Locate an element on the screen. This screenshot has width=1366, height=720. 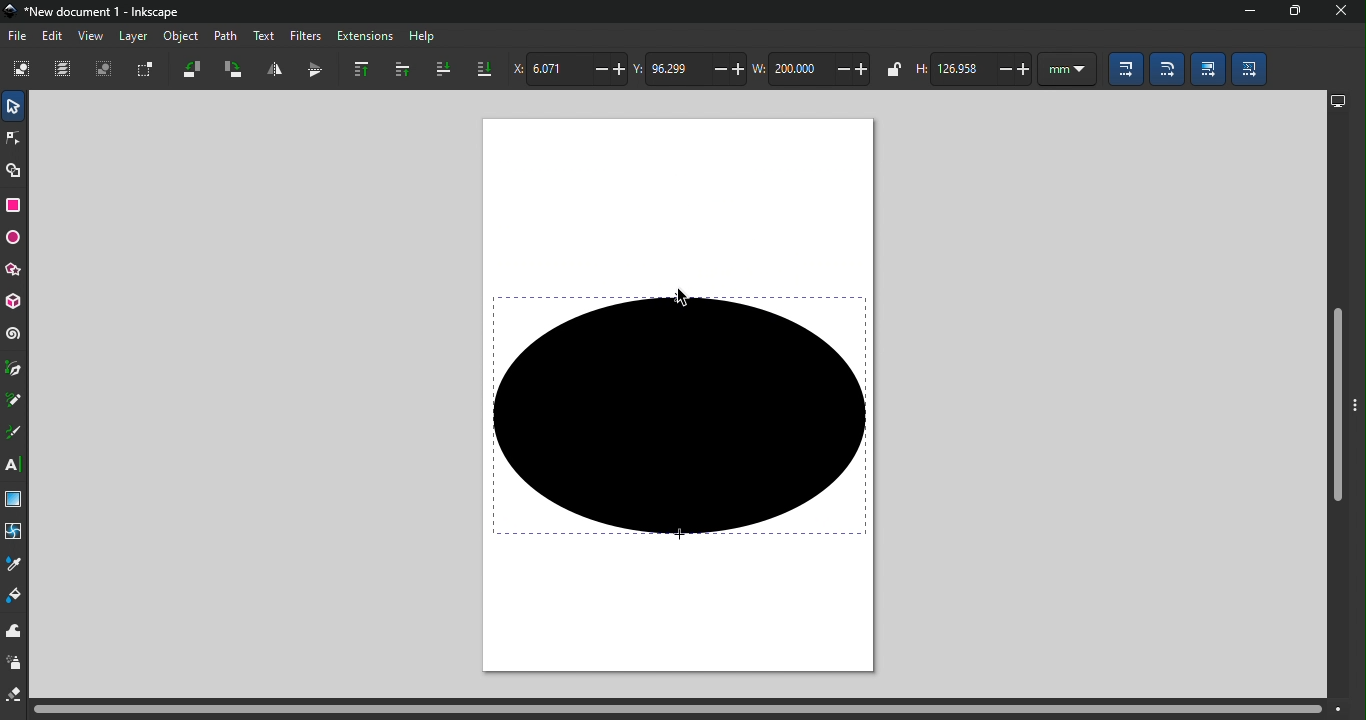
Object flip horizontal is located at coordinates (274, 69).